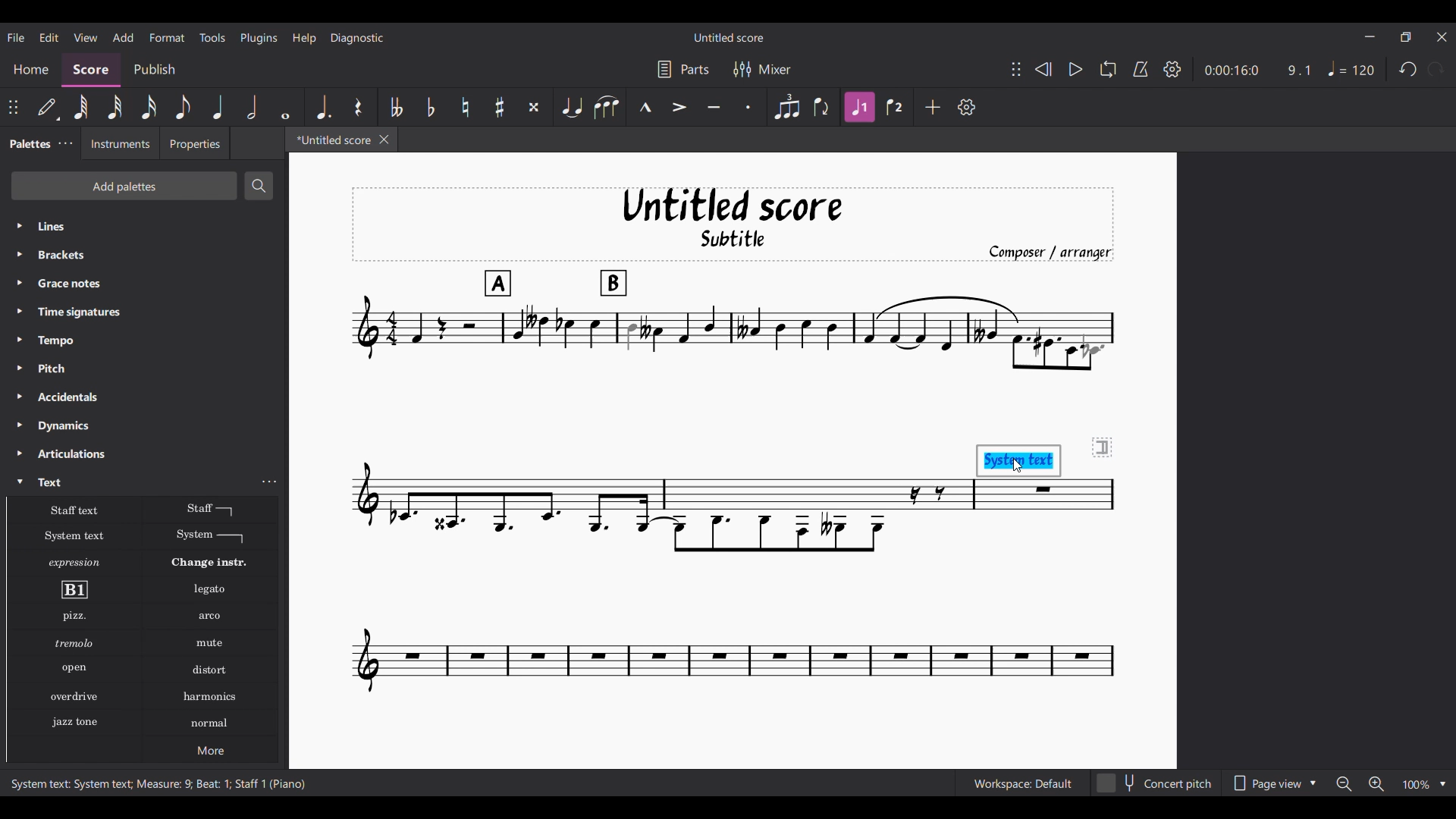 The image size is (1456, 819). Describe the element at coordinates (1436, 69) in the screenshot. I see `Redo` at that location.